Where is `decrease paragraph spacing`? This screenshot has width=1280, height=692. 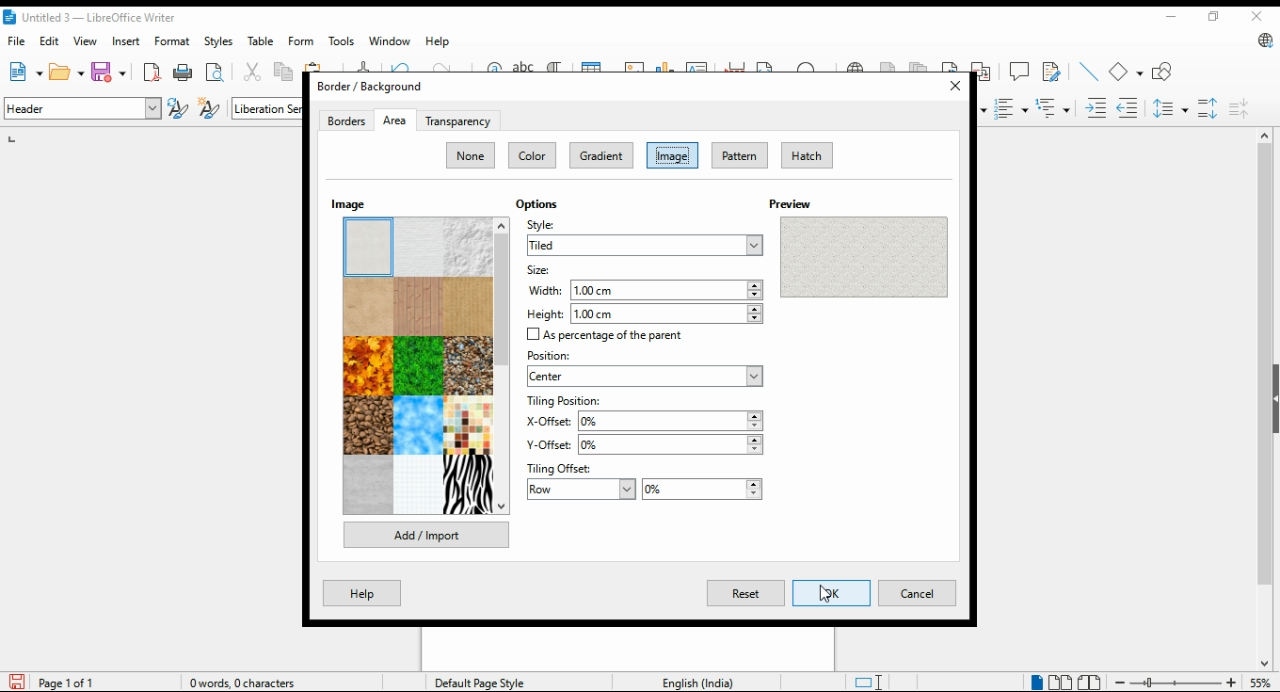
decrease paragraph spacing is located at coordinates (1239, 108).